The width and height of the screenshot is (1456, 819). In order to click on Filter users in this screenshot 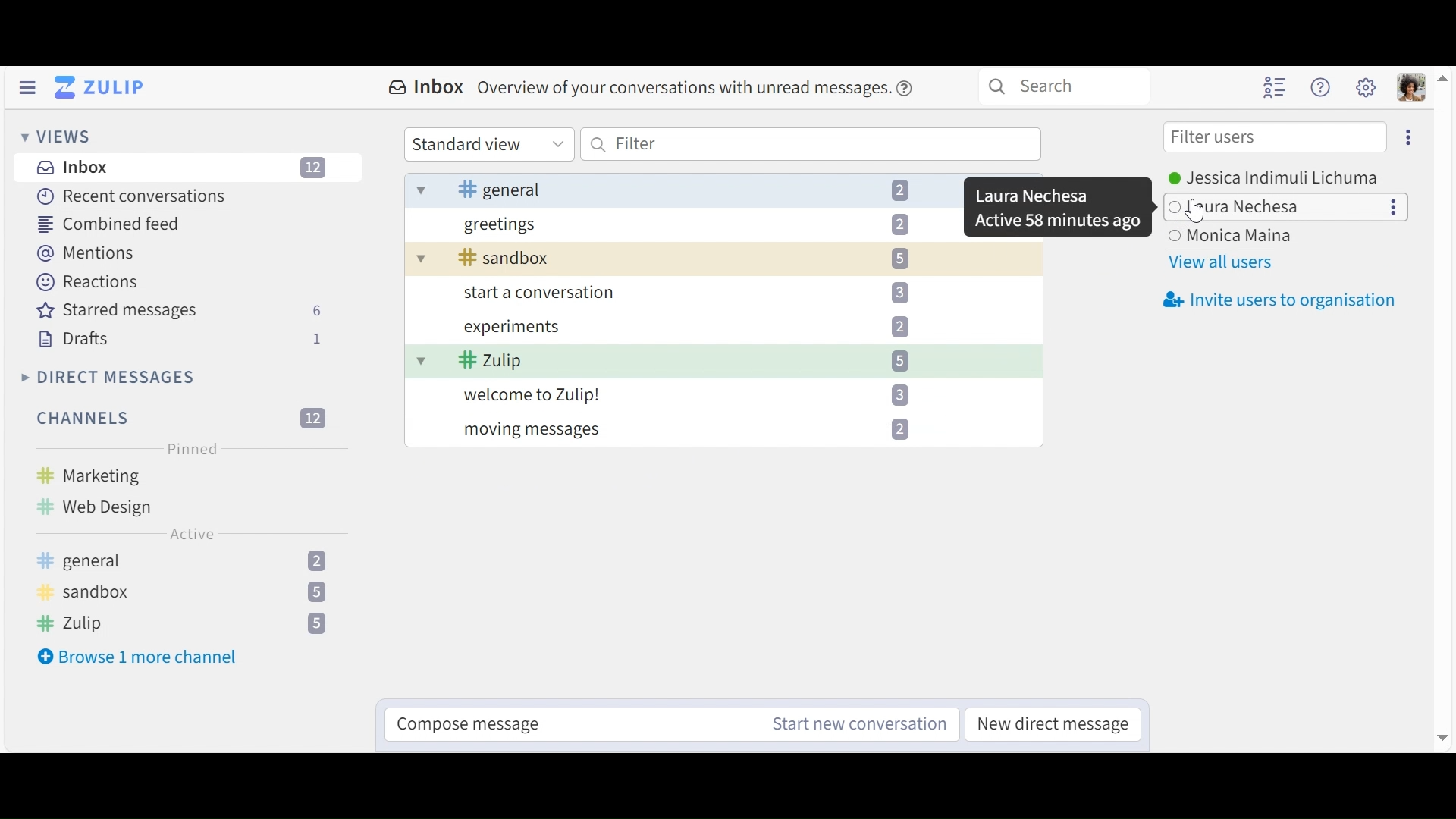, I will do `click(1275, 138)`.